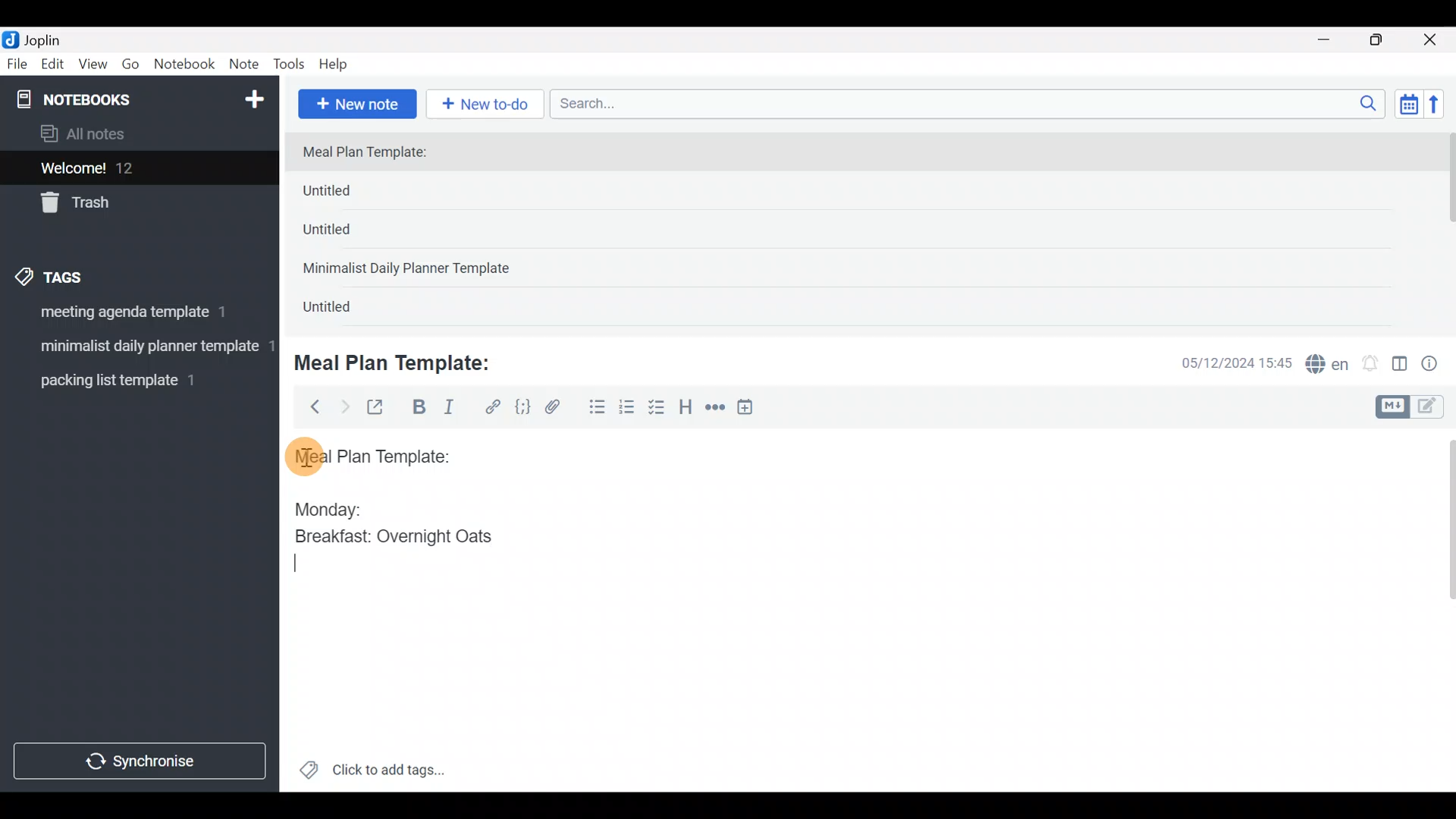 The height and width of the screenshot is (819, 1456). I want to click on Scroll bar, so click(1447, 229).